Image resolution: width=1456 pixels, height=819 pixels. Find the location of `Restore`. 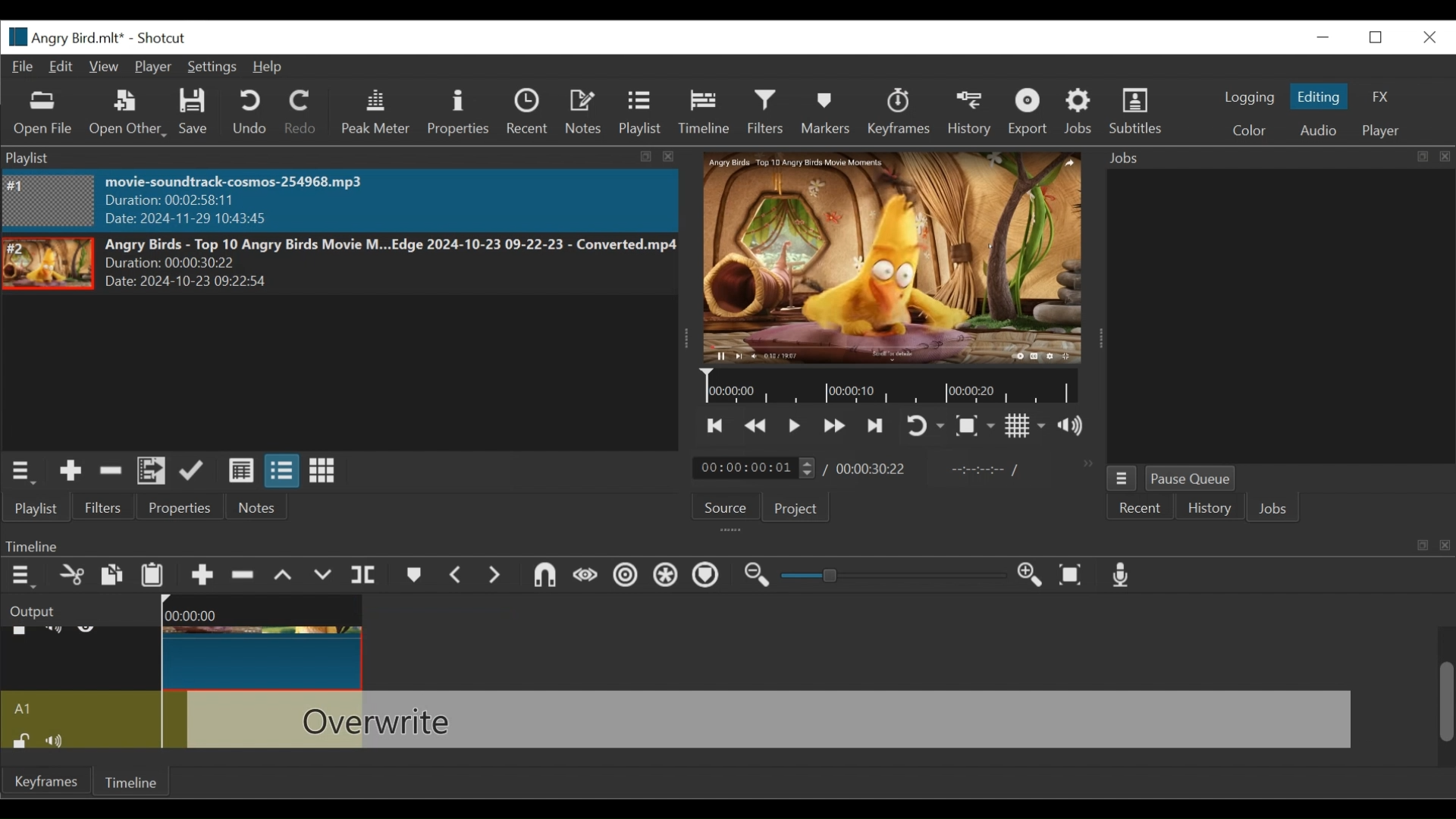

Restore is located at coordinates (1378, 36).